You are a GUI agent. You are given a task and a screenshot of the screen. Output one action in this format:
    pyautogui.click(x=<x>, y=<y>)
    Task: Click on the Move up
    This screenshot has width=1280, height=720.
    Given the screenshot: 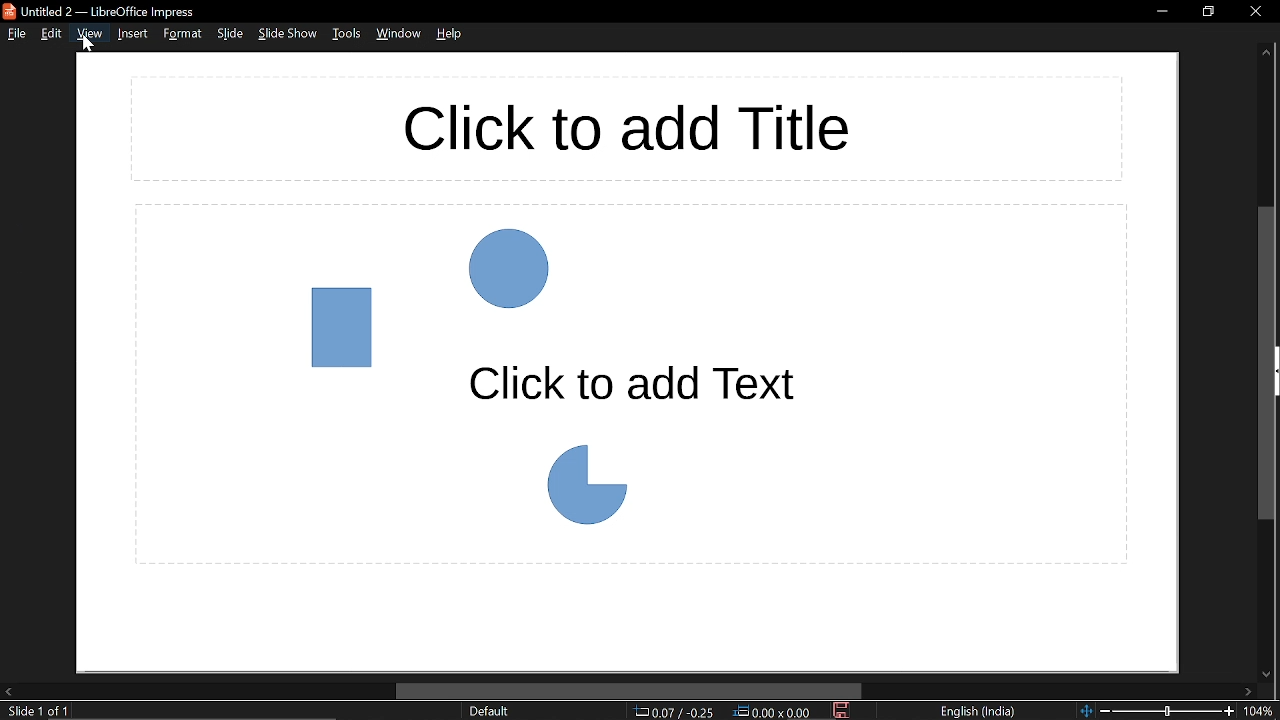 What is the action you would take?
    pyautogui.click(x=1267, y=53)
    